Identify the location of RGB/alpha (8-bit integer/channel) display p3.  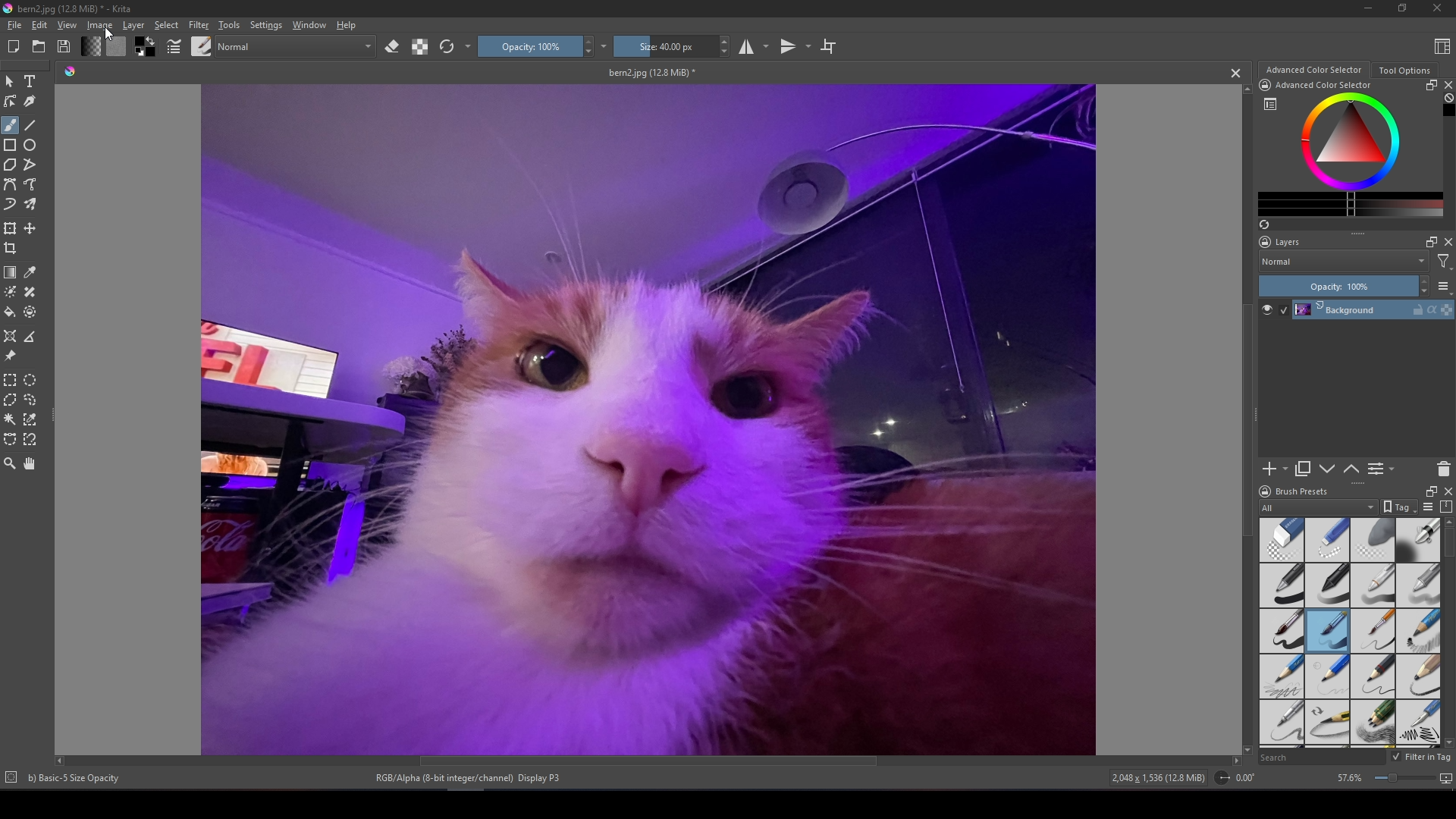
(470, 777).